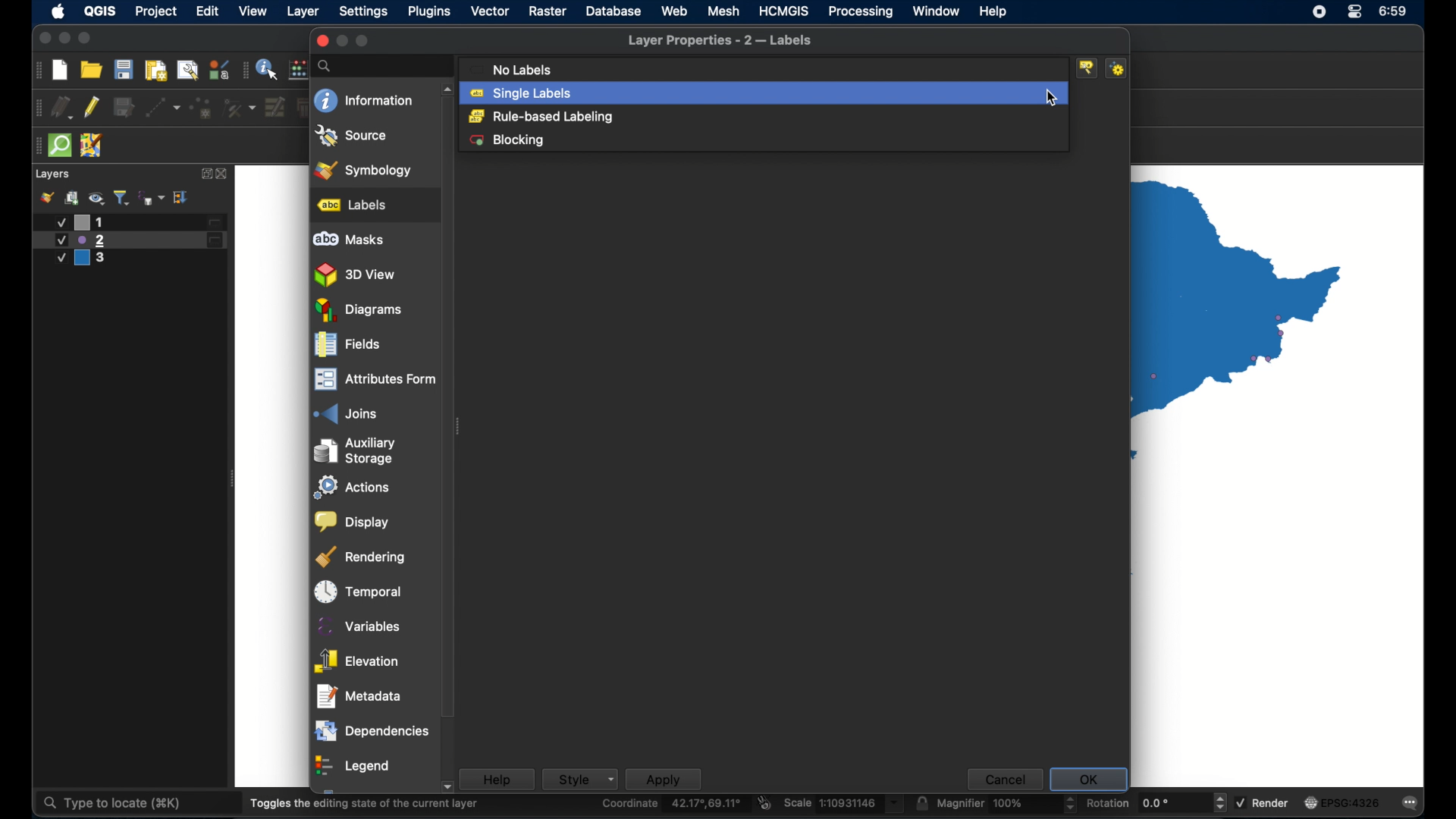 This screenshot has width=1456, height=819. I want to click on drag handle, so click(36, 108).